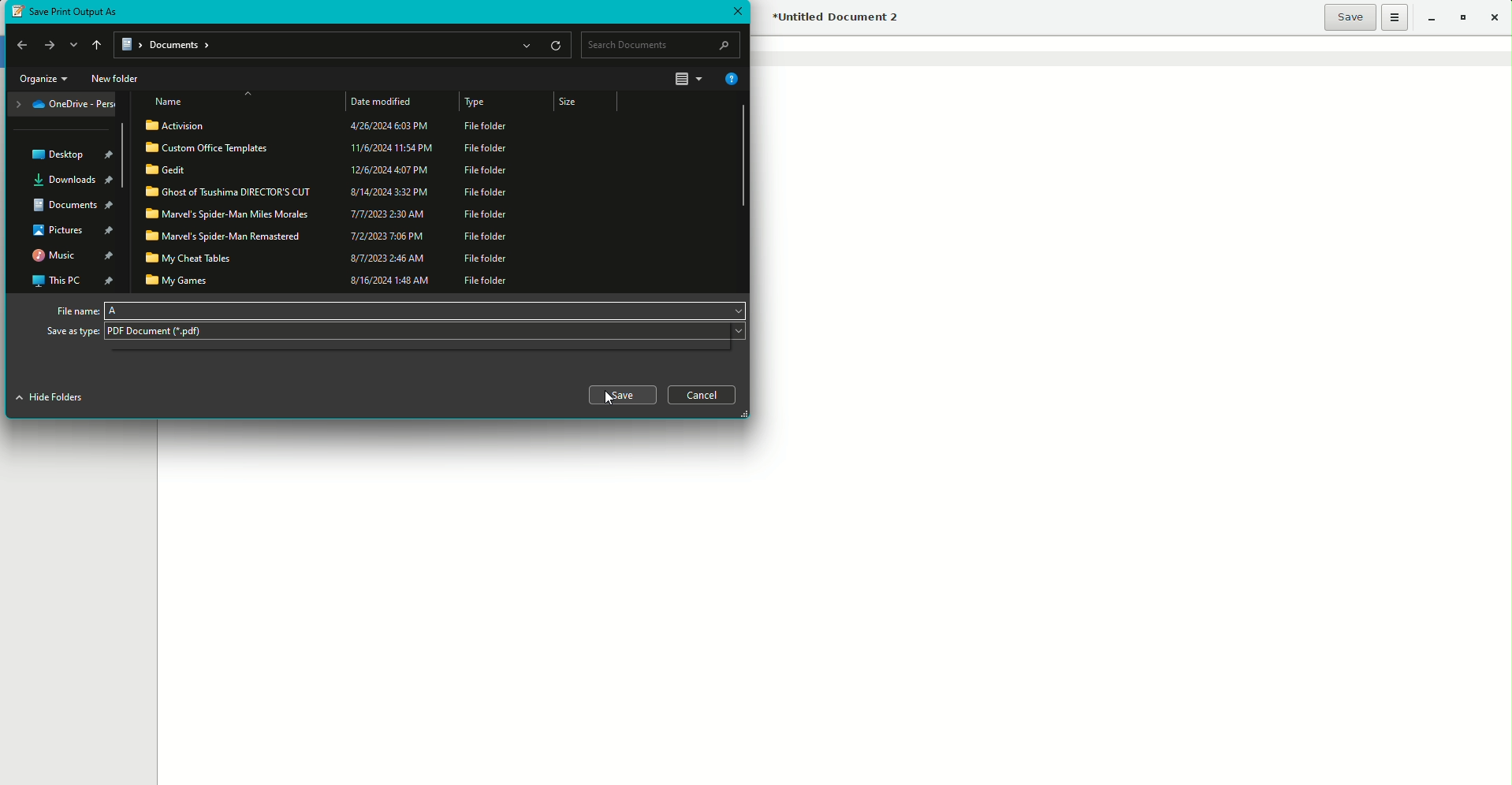 Image resolution: width=1512 pixels, height=785 pixels. I want to click on Move up, so click(95, 45).